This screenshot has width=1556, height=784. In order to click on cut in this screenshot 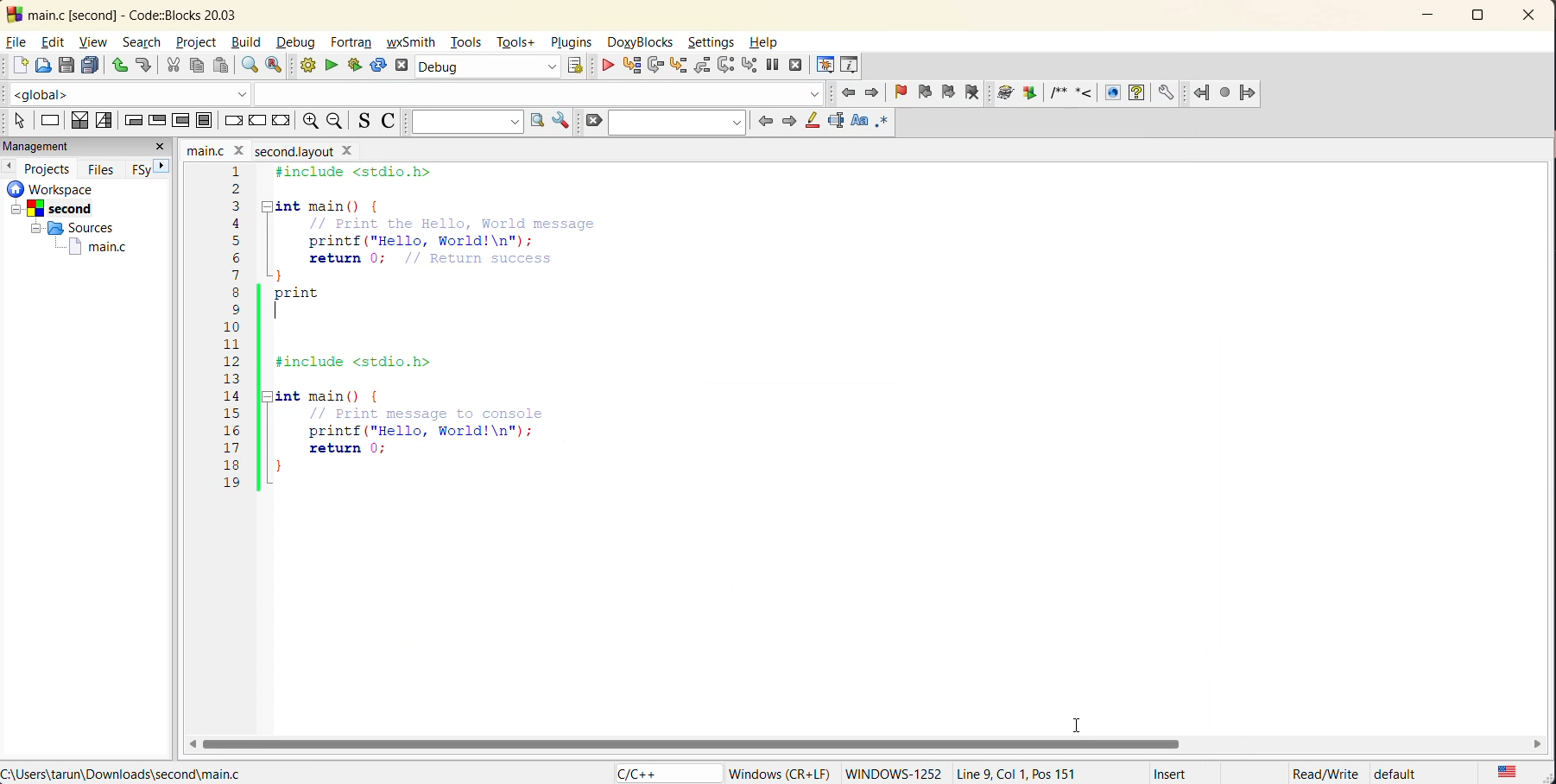, I will do `click(169, 65)`.